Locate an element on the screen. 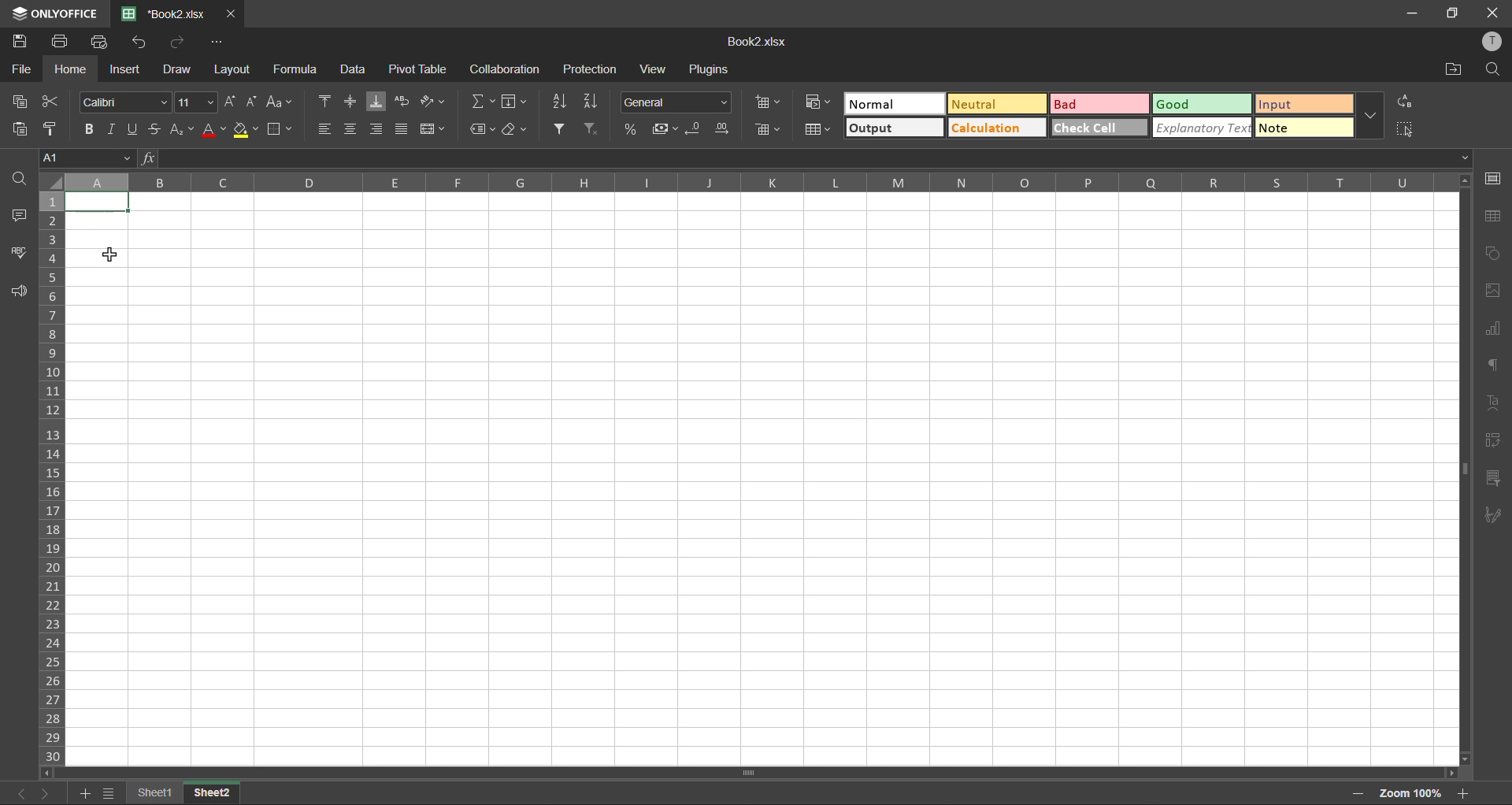 Image resolution: width=1512 pixels, height=805 pixels. scrollbar is located at coordinates (1464, 473).